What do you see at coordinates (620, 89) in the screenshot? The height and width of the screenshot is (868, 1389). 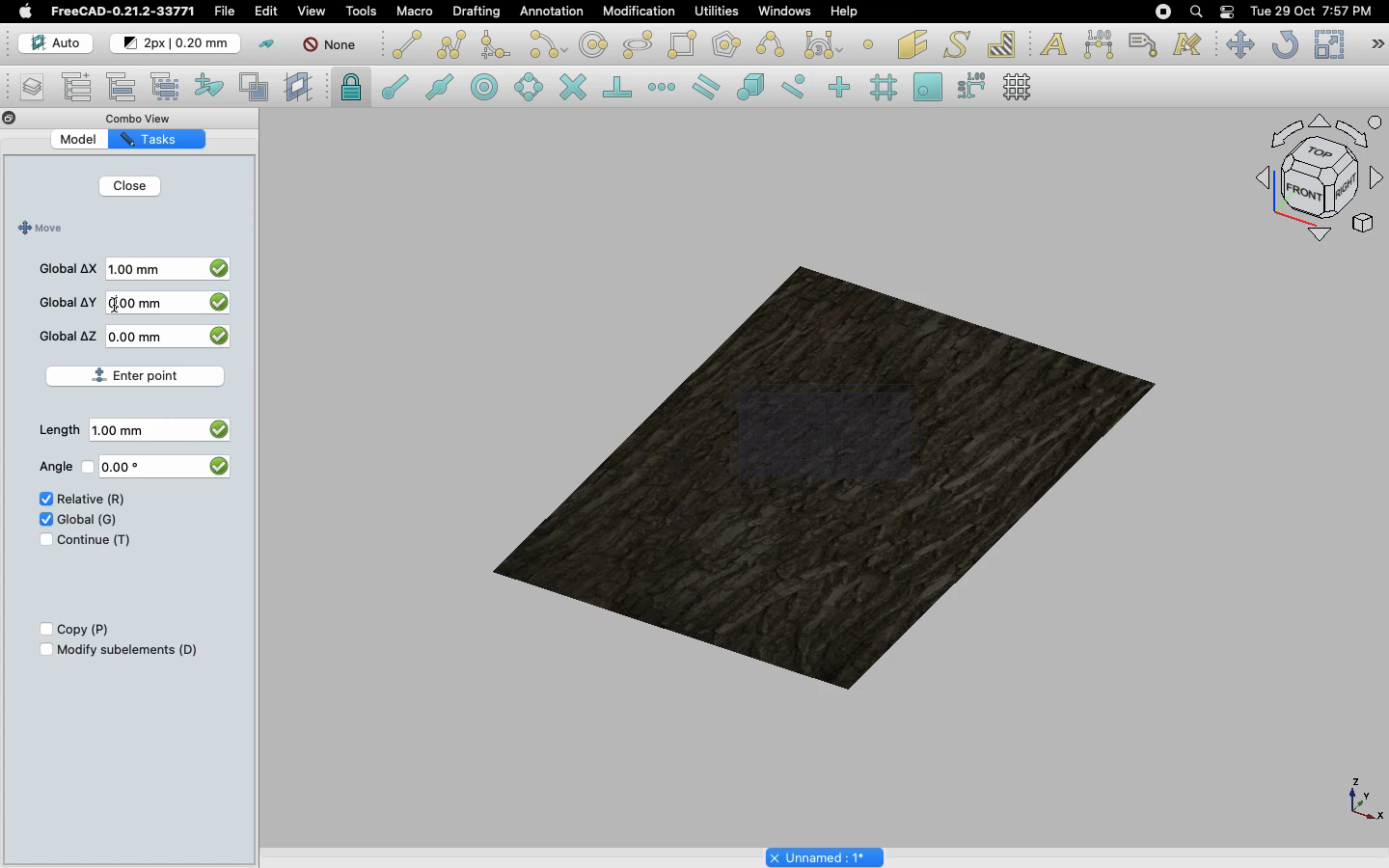 I see `Snap perpendicular` at bounding box center [620, 89].